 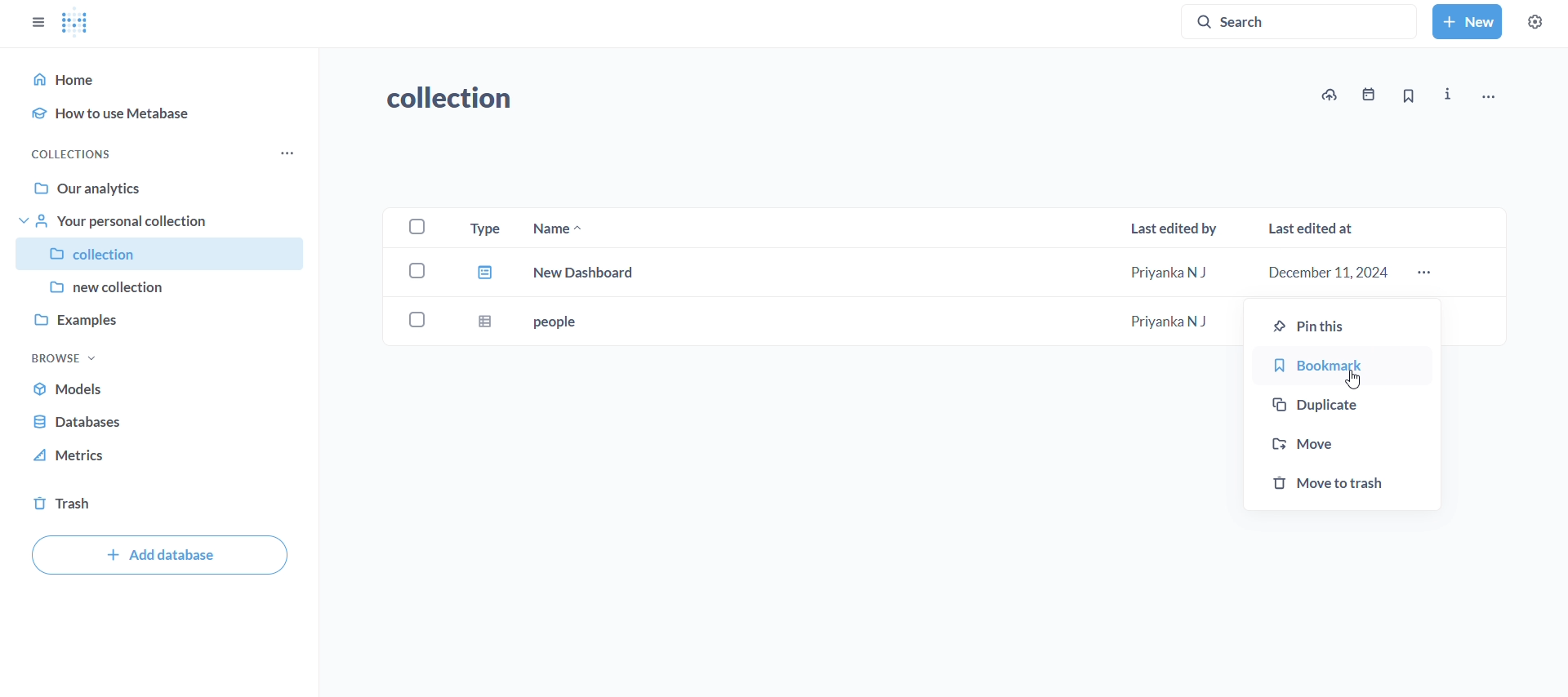 I want to click on models, so click(x=87, y=392).